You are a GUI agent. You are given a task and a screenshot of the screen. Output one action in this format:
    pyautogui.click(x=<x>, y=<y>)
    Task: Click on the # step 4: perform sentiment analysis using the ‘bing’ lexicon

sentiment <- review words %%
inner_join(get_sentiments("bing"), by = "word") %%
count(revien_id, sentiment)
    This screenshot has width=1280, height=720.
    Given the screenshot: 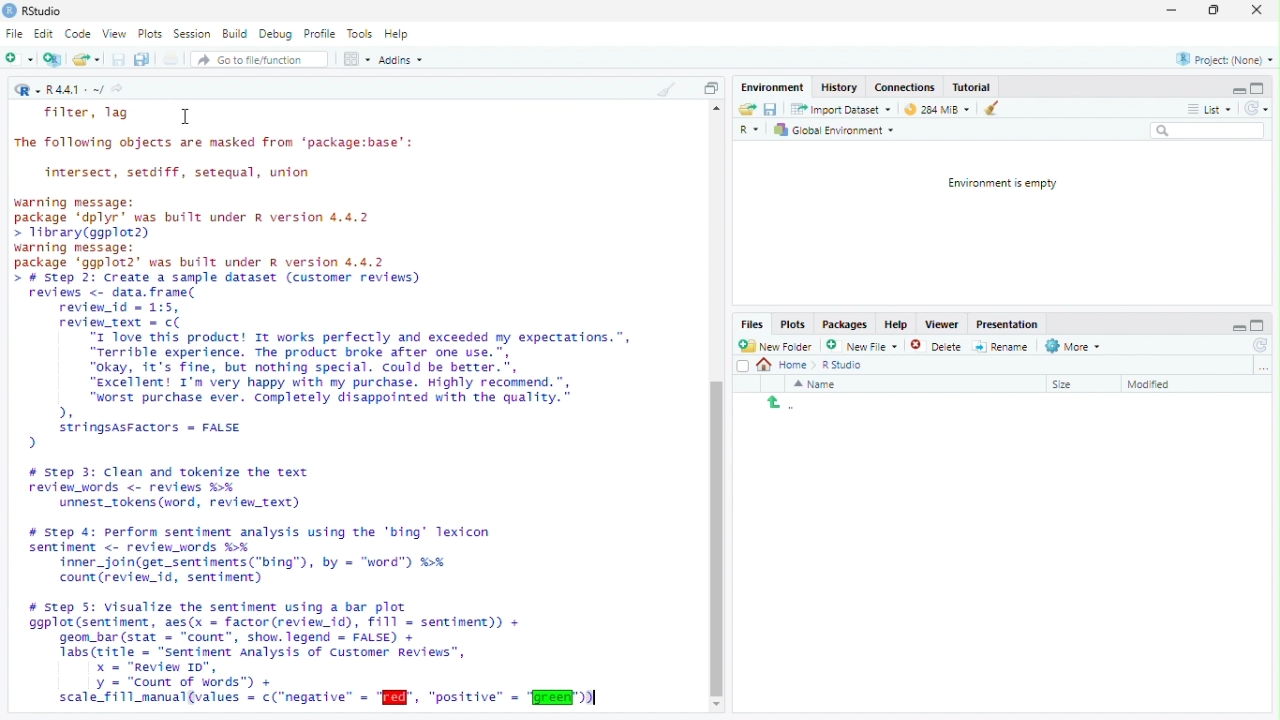 What is the action you would take?
    pyautogui.click(x=268, y=556)
    